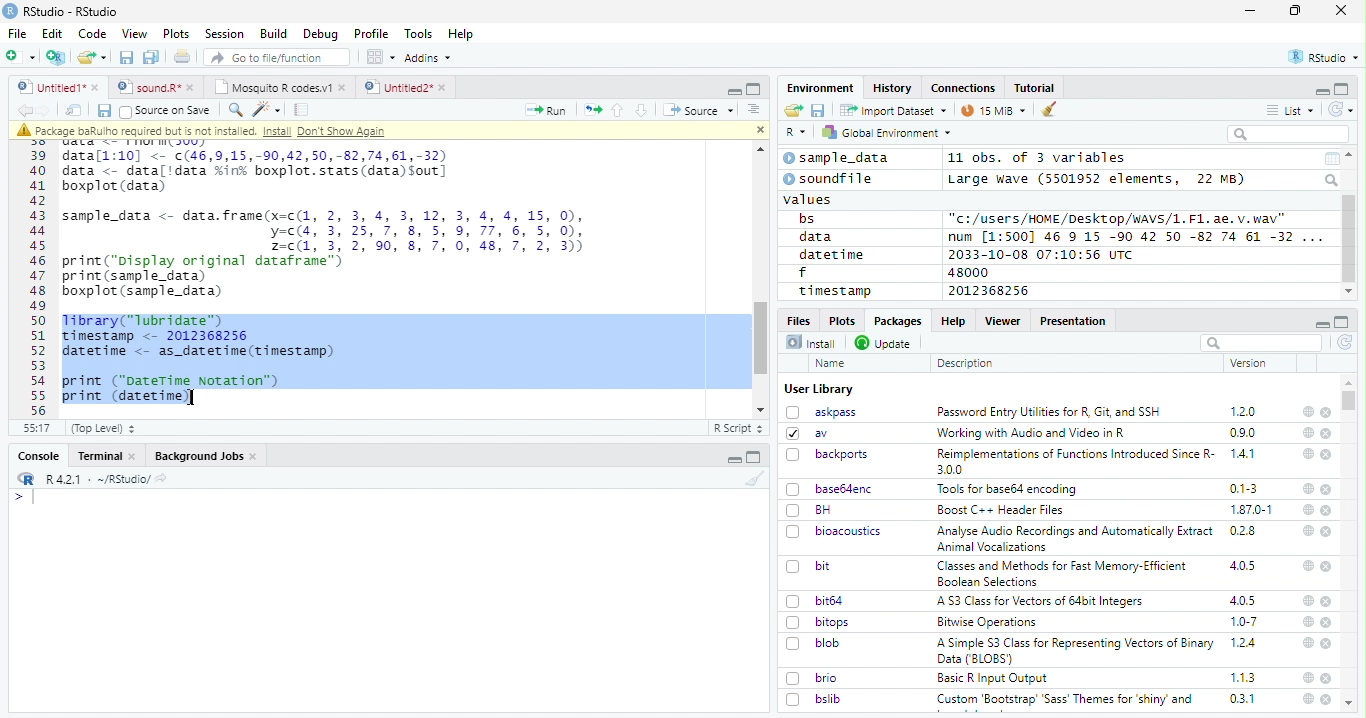 This screenshot has width=1366, height=718. What do you see at coordinates (1307, 411) in the screenshot?
I see `help` at bounding box center [1307, 411].